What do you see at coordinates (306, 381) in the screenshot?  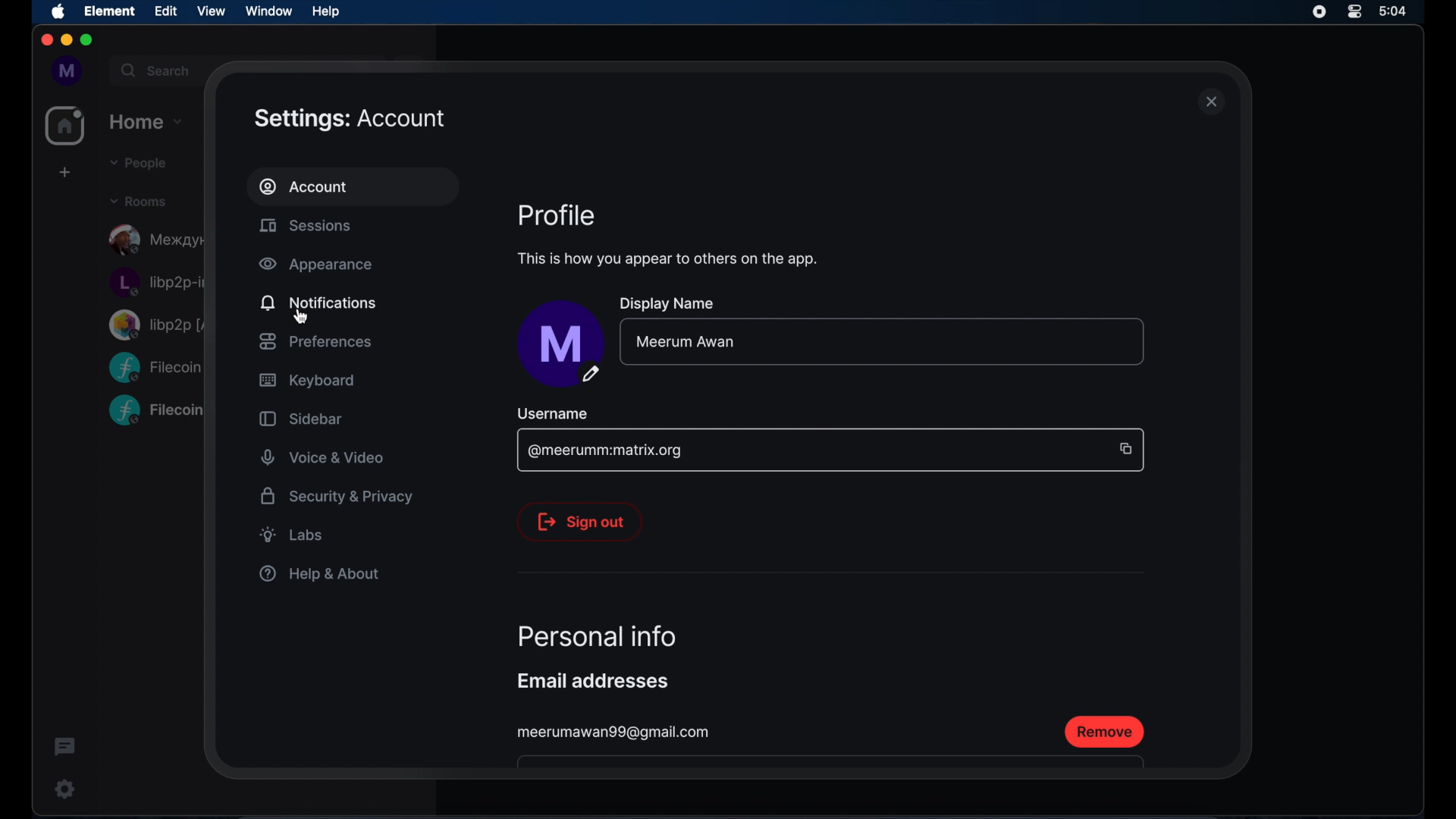 I see `keyboard` at bounding box center [306, 381].